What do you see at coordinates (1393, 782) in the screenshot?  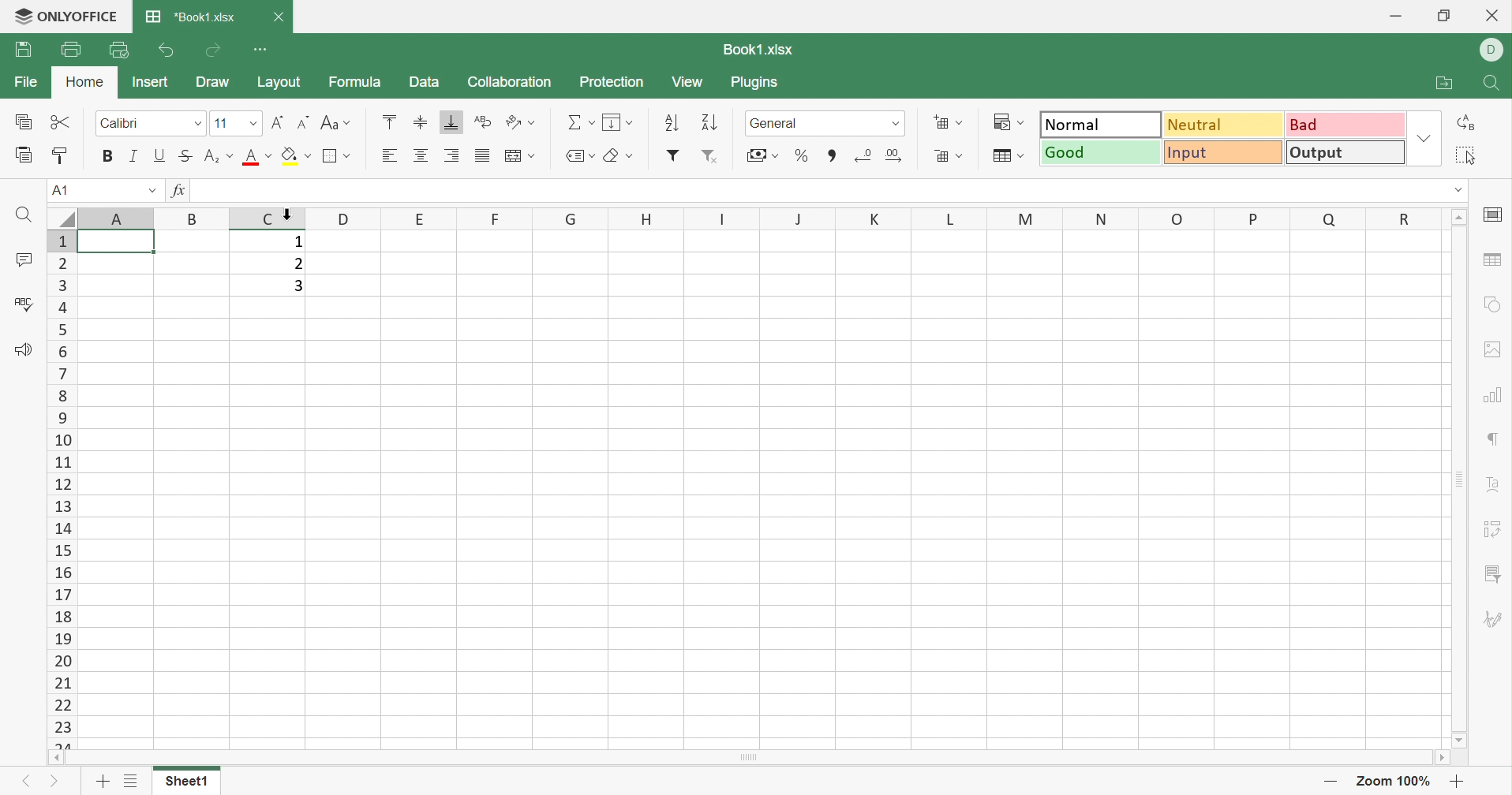 I see `Zoom 100%` at bounding box center [1393, 782].